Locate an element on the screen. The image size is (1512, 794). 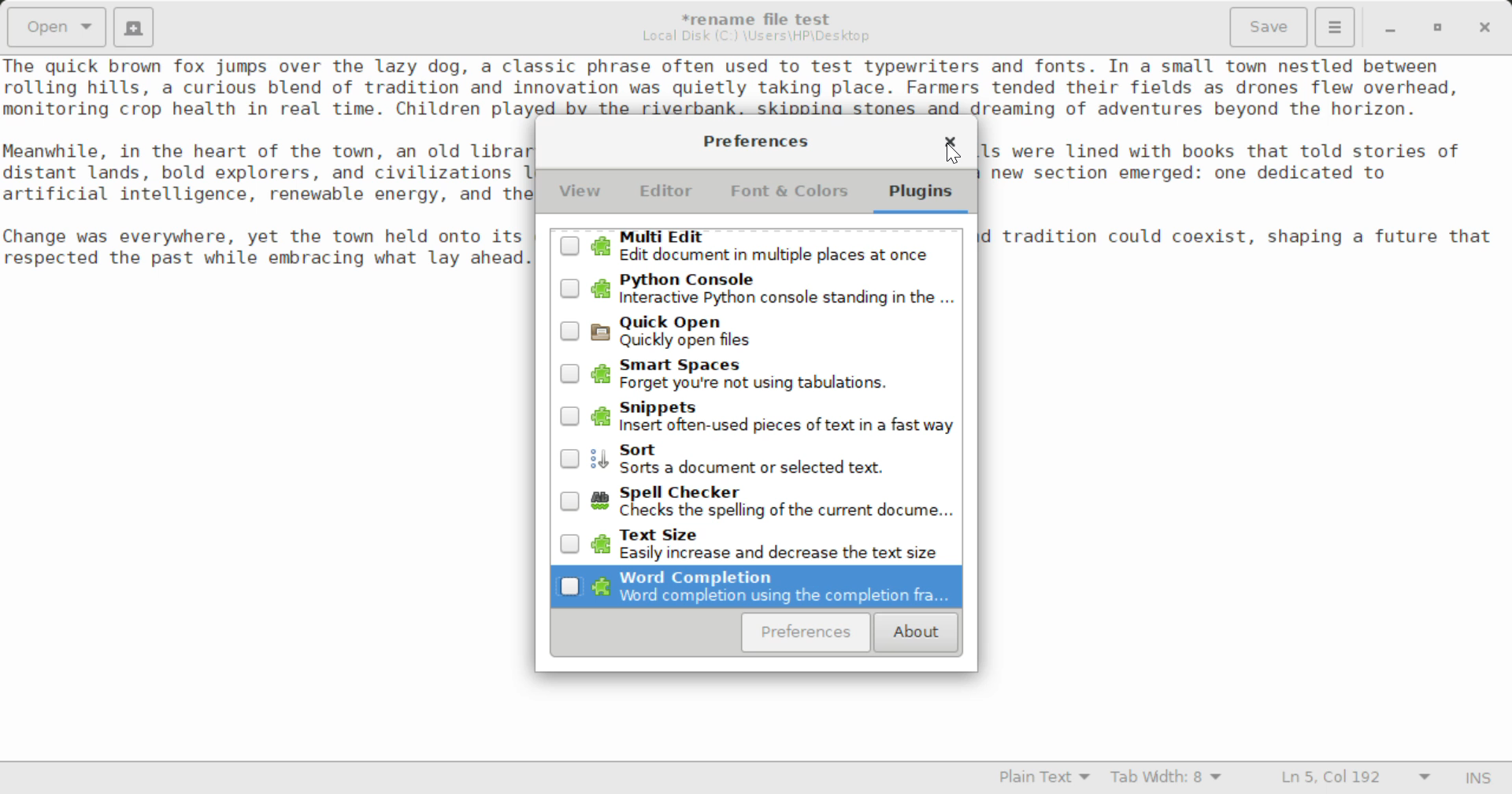
Unselected Smart Spaces is located at coordinates (756, 372).